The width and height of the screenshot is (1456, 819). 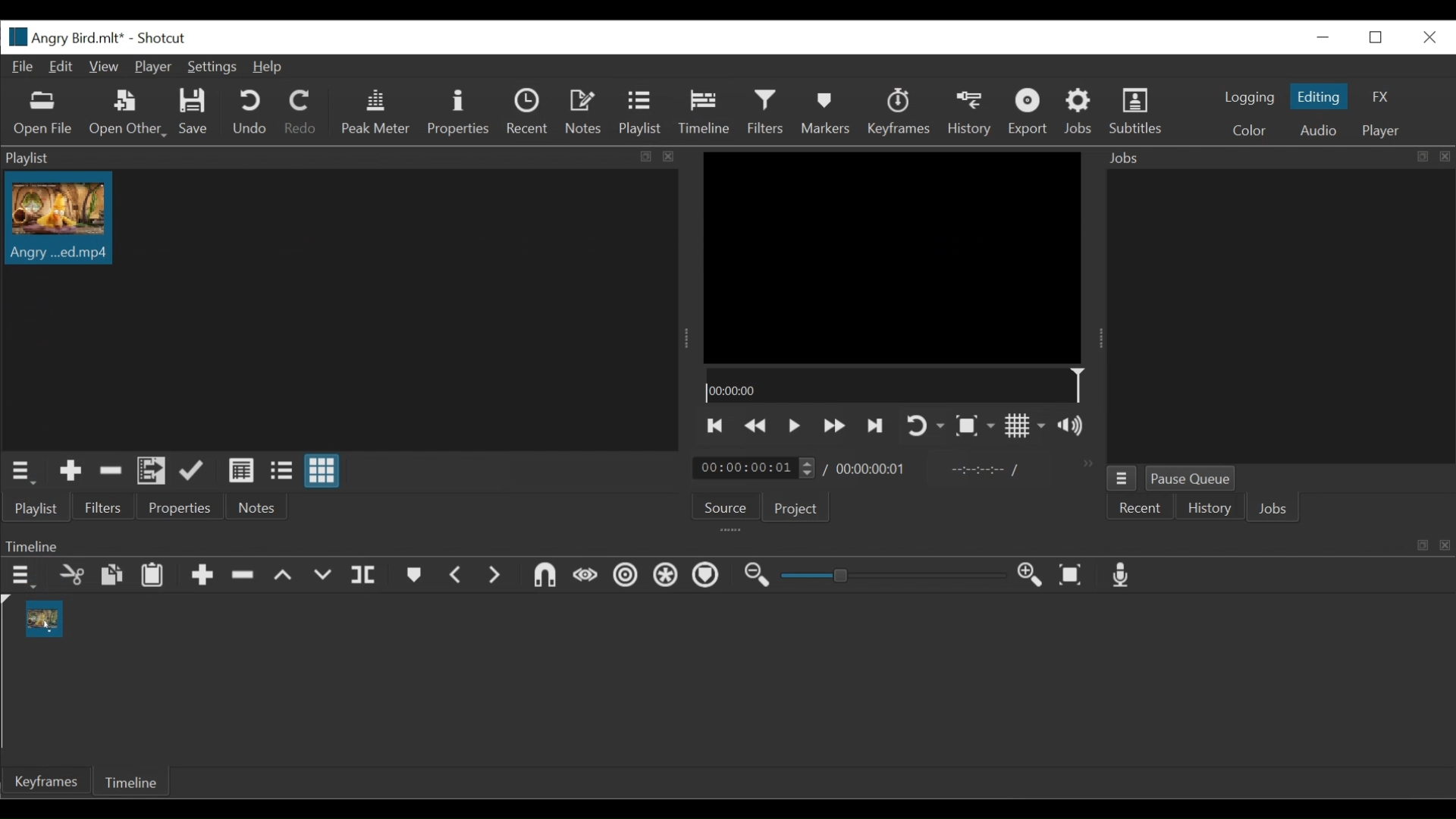 What do you see at coordinates (825, 113) in the screenshot?
I see `Markers` at bounding box center [825, 113].